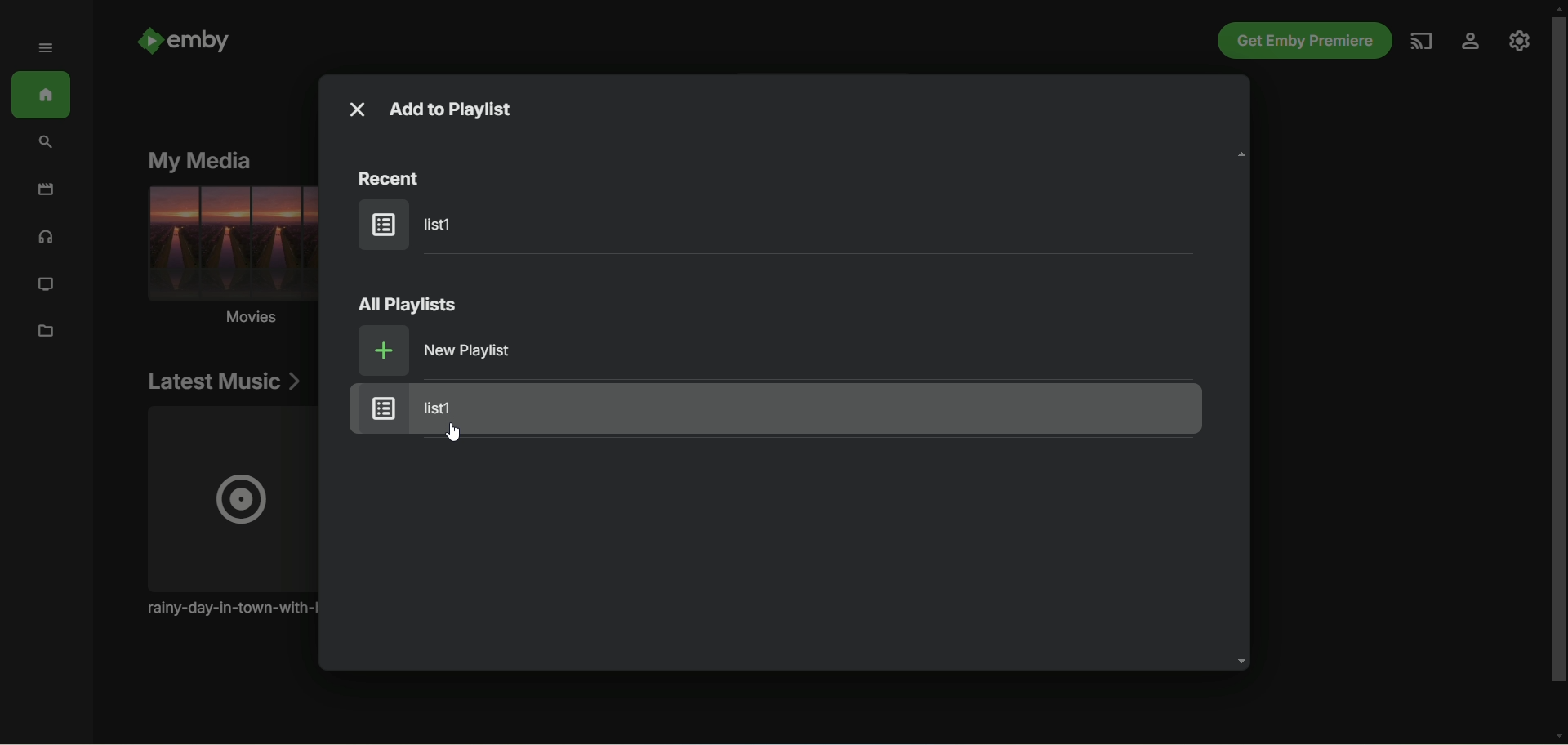 The image size is (1568, 745). I want to click on music, so click(46, 239).